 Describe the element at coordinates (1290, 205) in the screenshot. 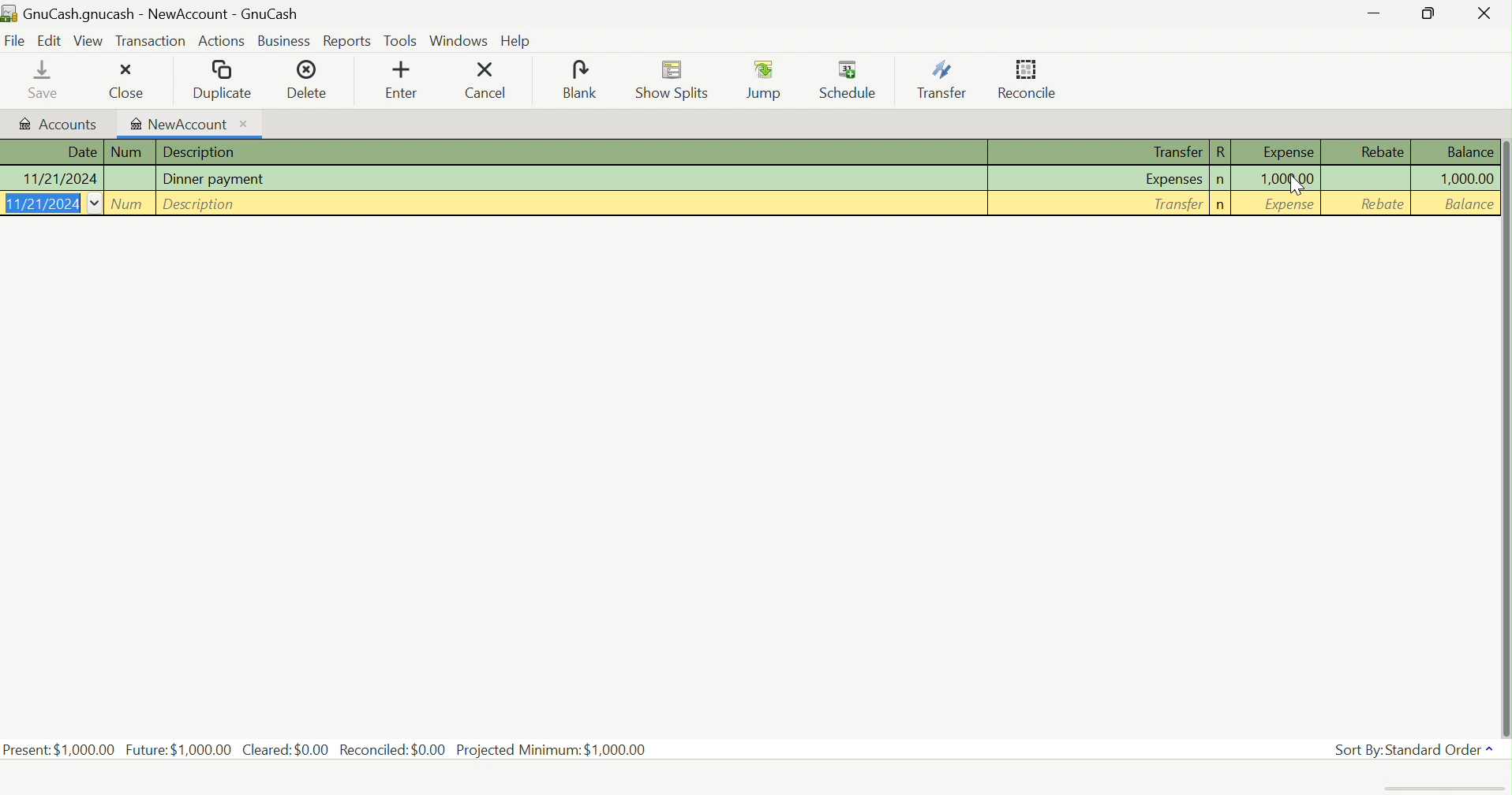

I see `Expense` at that location.